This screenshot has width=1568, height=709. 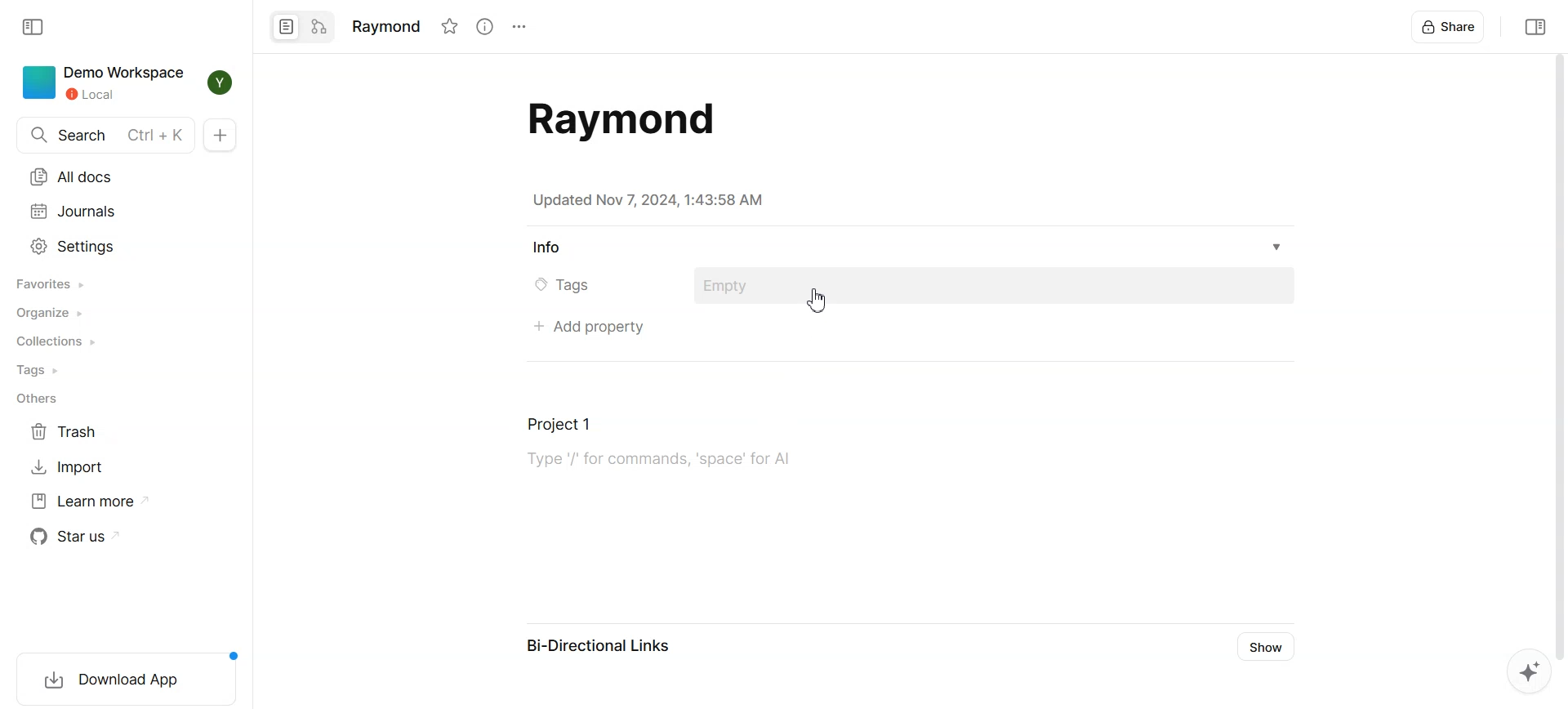 I want to click on Collapse sidebar, so click(x=1534, y=28).